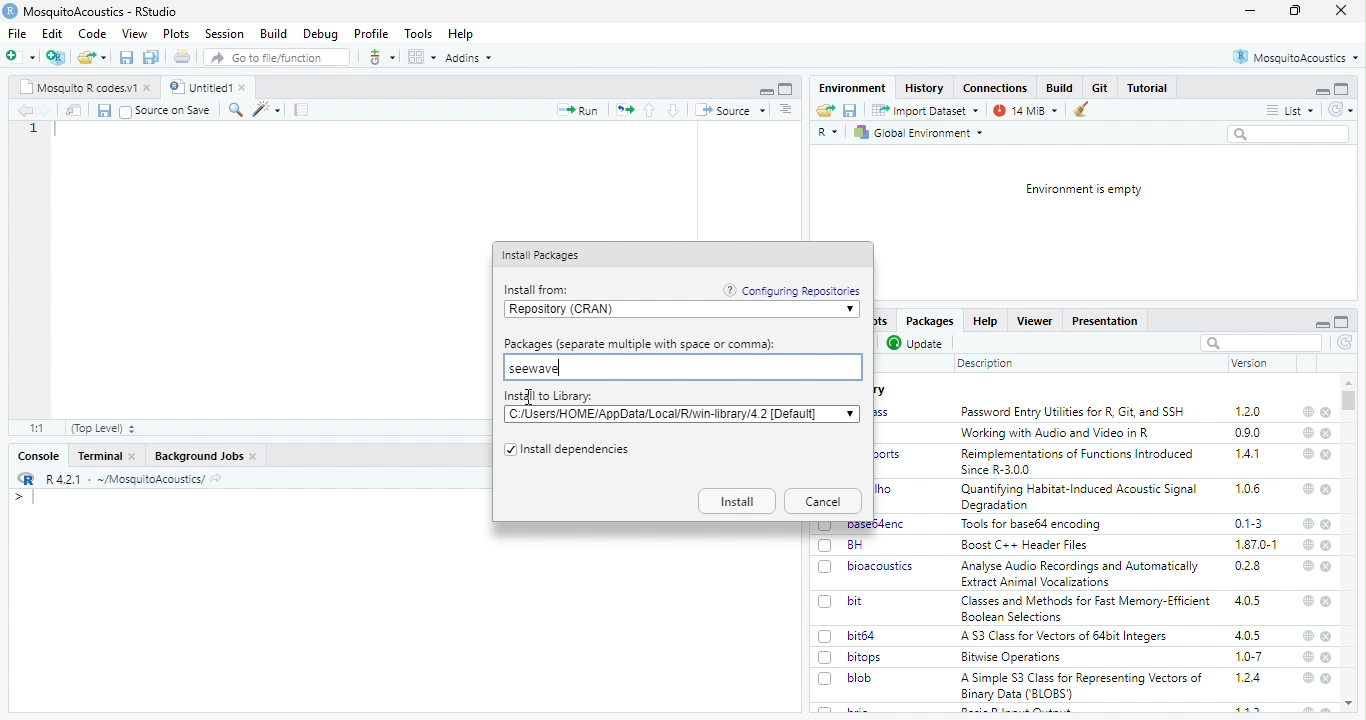  Describe the element at coordinates (380, 57) in the screenshot. I see `tool` at that location.